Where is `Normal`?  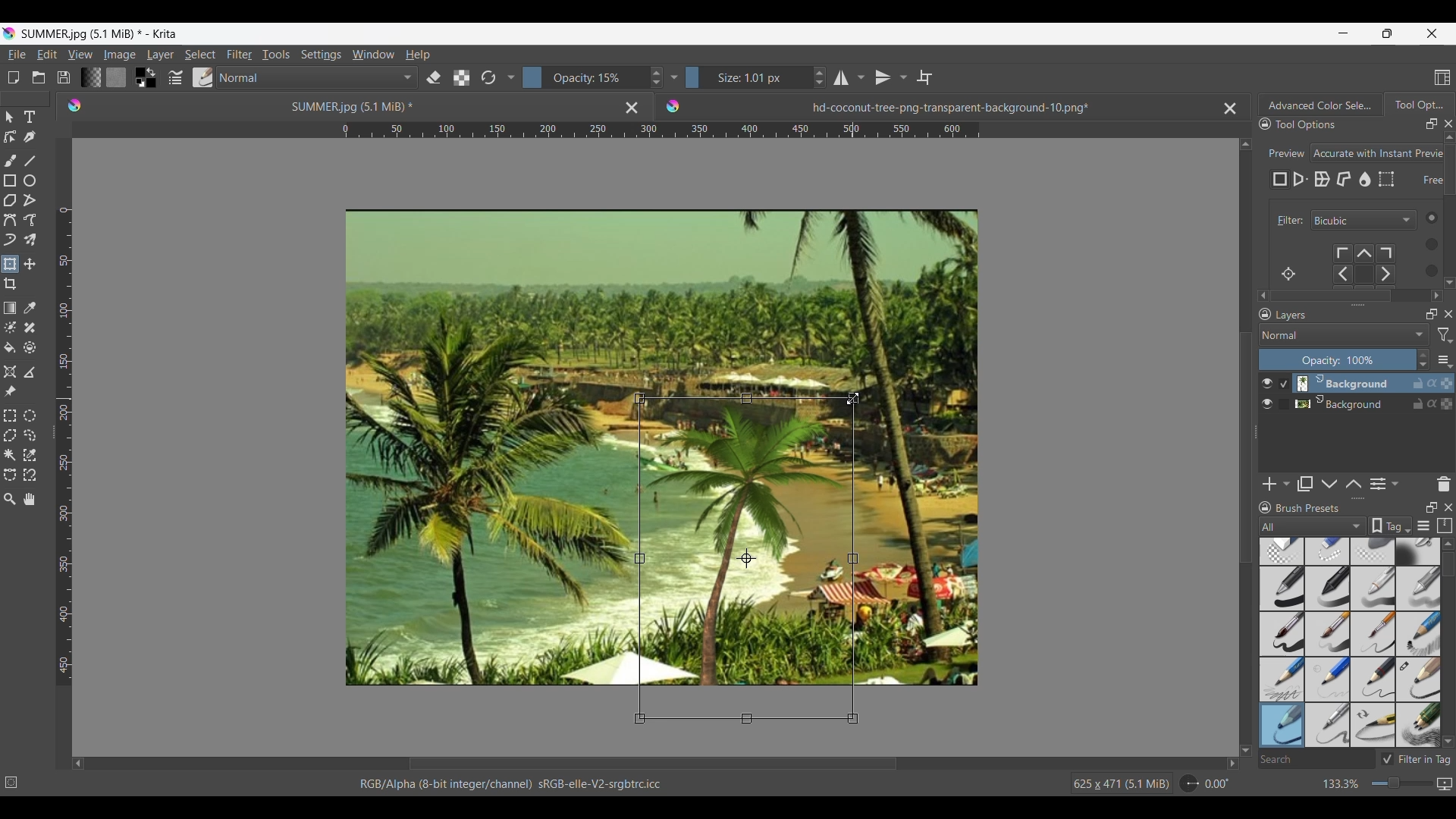
Normal is located at coordinates (317, 77).